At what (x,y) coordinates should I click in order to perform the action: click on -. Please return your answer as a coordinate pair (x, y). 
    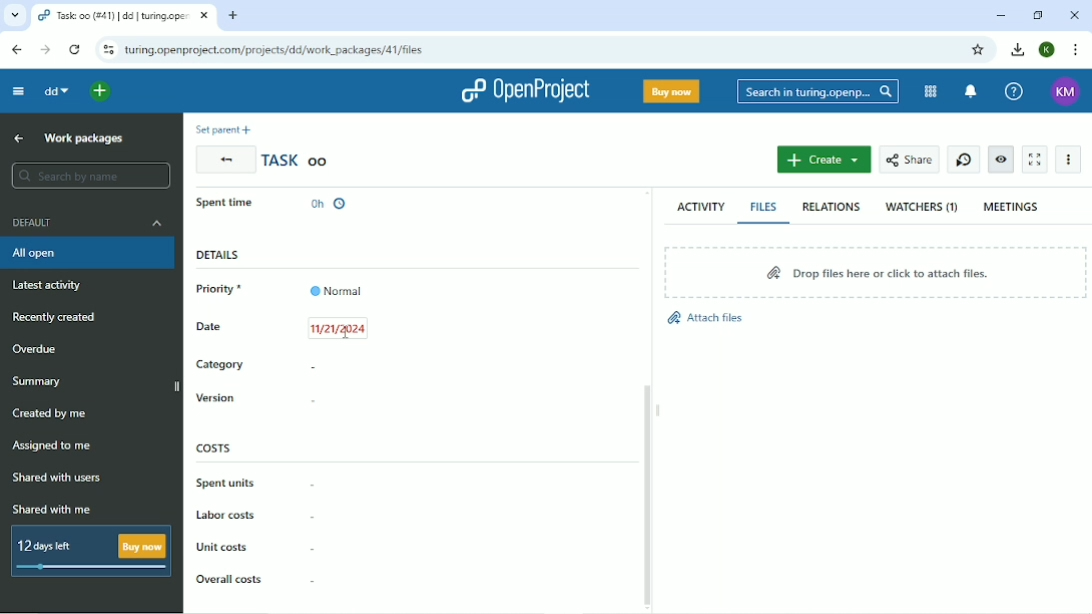
    Looking at the image, I should click on (318, 403).